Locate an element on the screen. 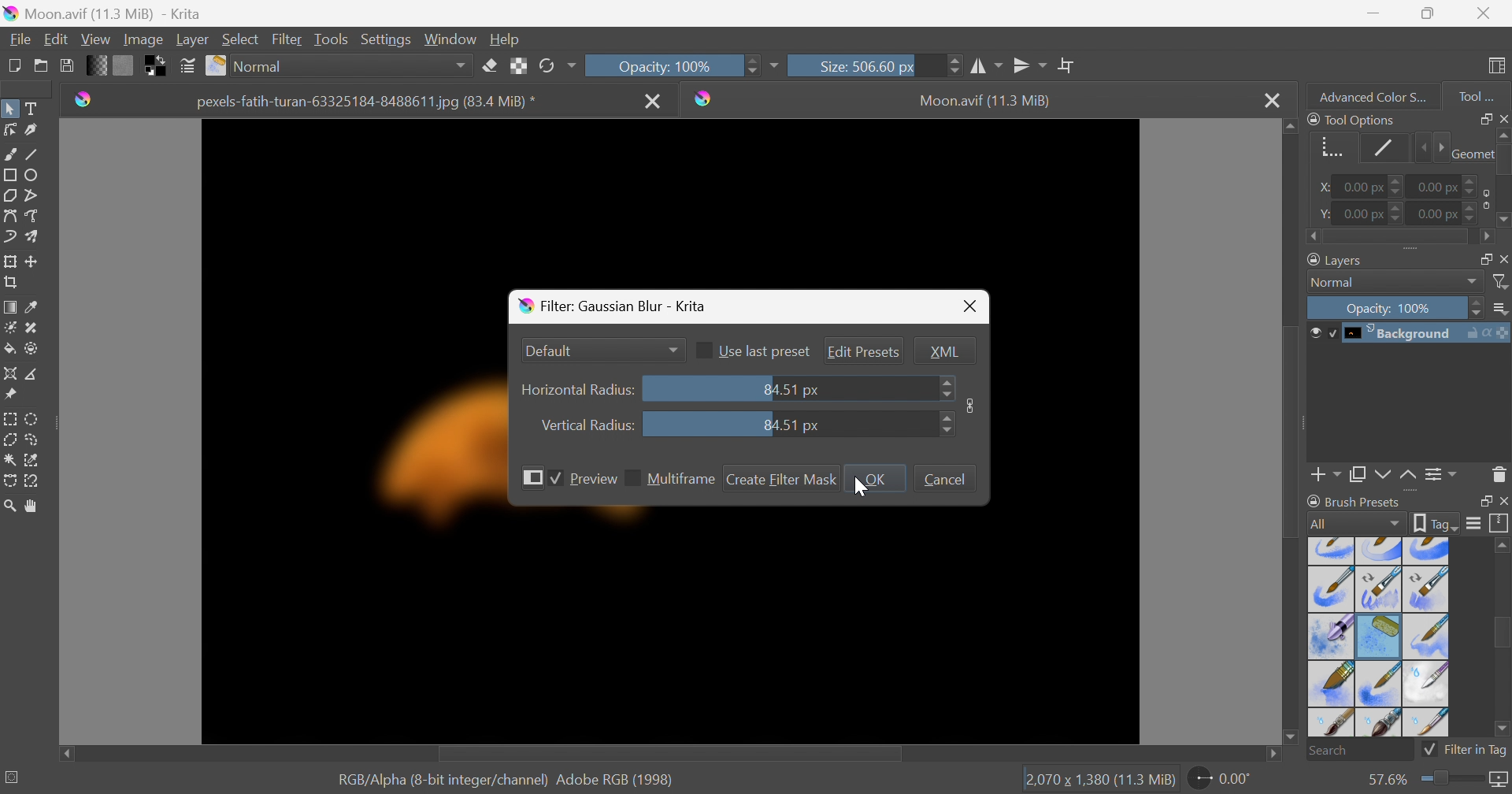  View or change the layer properties is located at coordinates (1442, 477).